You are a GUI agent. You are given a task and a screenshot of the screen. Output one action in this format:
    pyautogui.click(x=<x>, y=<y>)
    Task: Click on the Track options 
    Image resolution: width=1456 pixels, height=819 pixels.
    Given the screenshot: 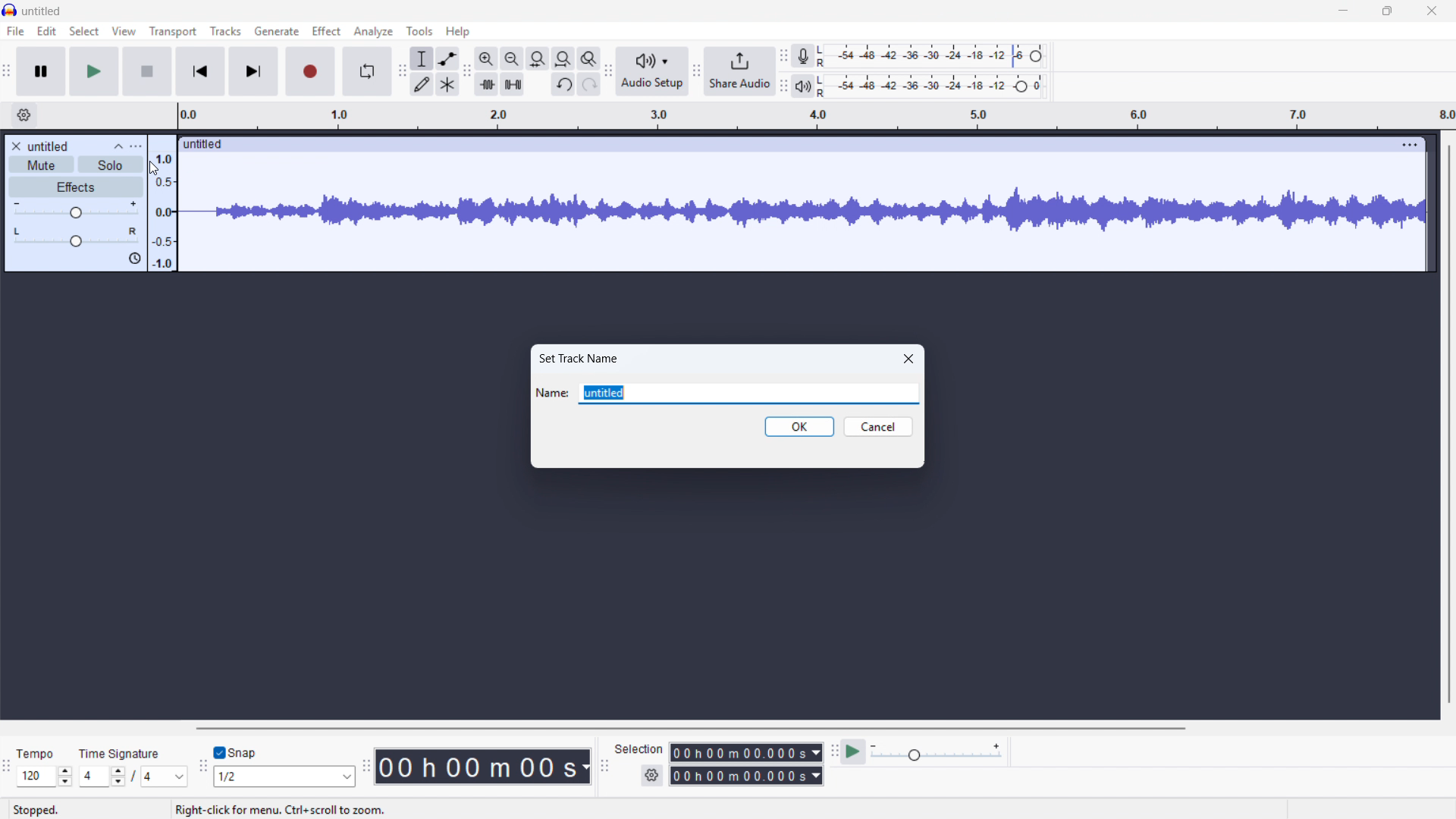 What is the action you would take?
    pyautogui.click(x=1410, y=144)
    